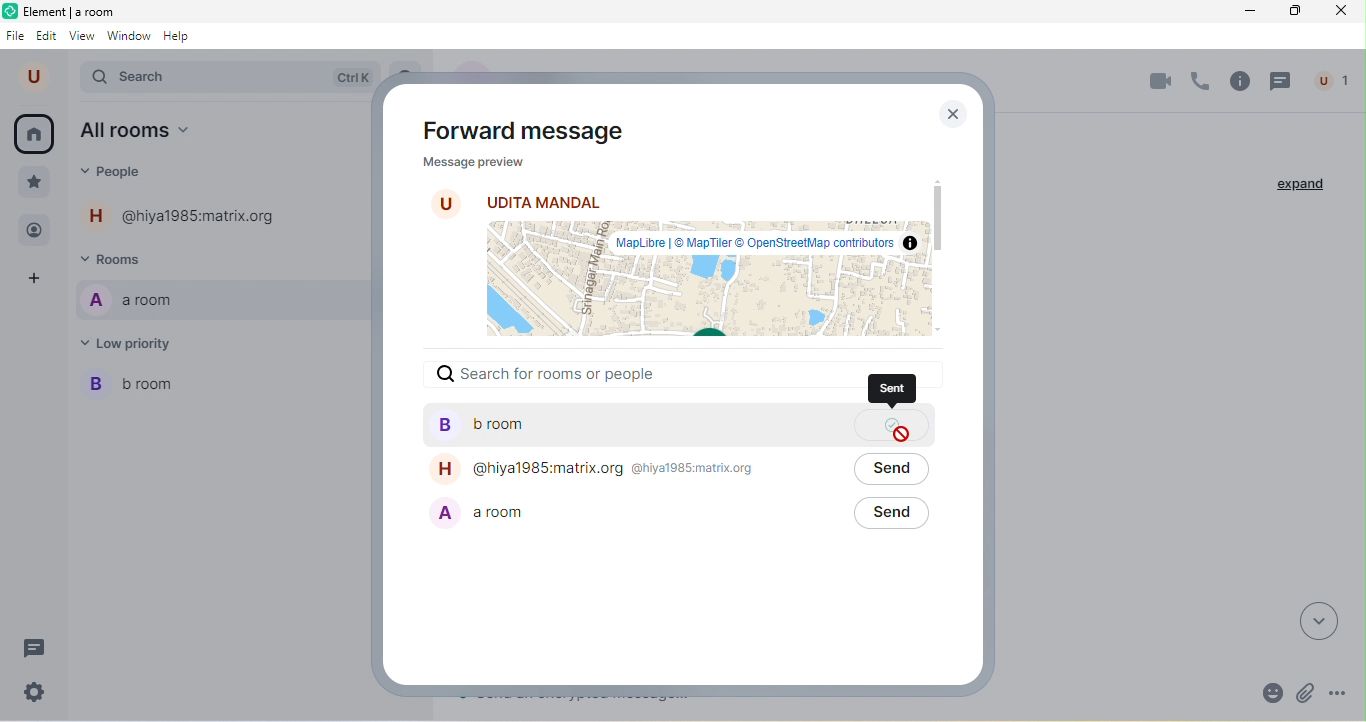 The width and height of the screenshot is (1366, 722). I want to click on Element | Home, so click(72, 11).